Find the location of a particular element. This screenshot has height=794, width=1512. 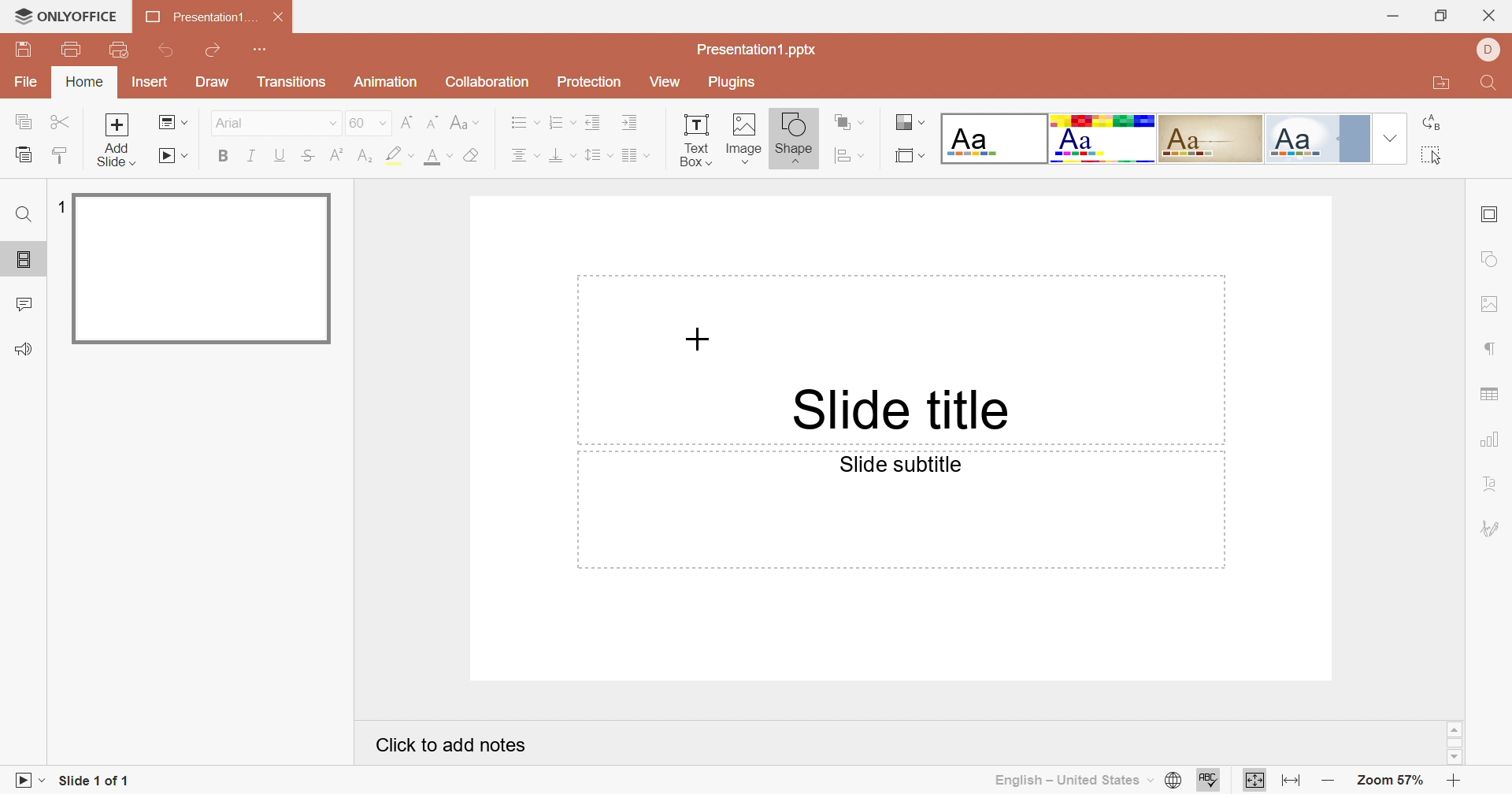

Insert shape is located at coordinates (848, 154).